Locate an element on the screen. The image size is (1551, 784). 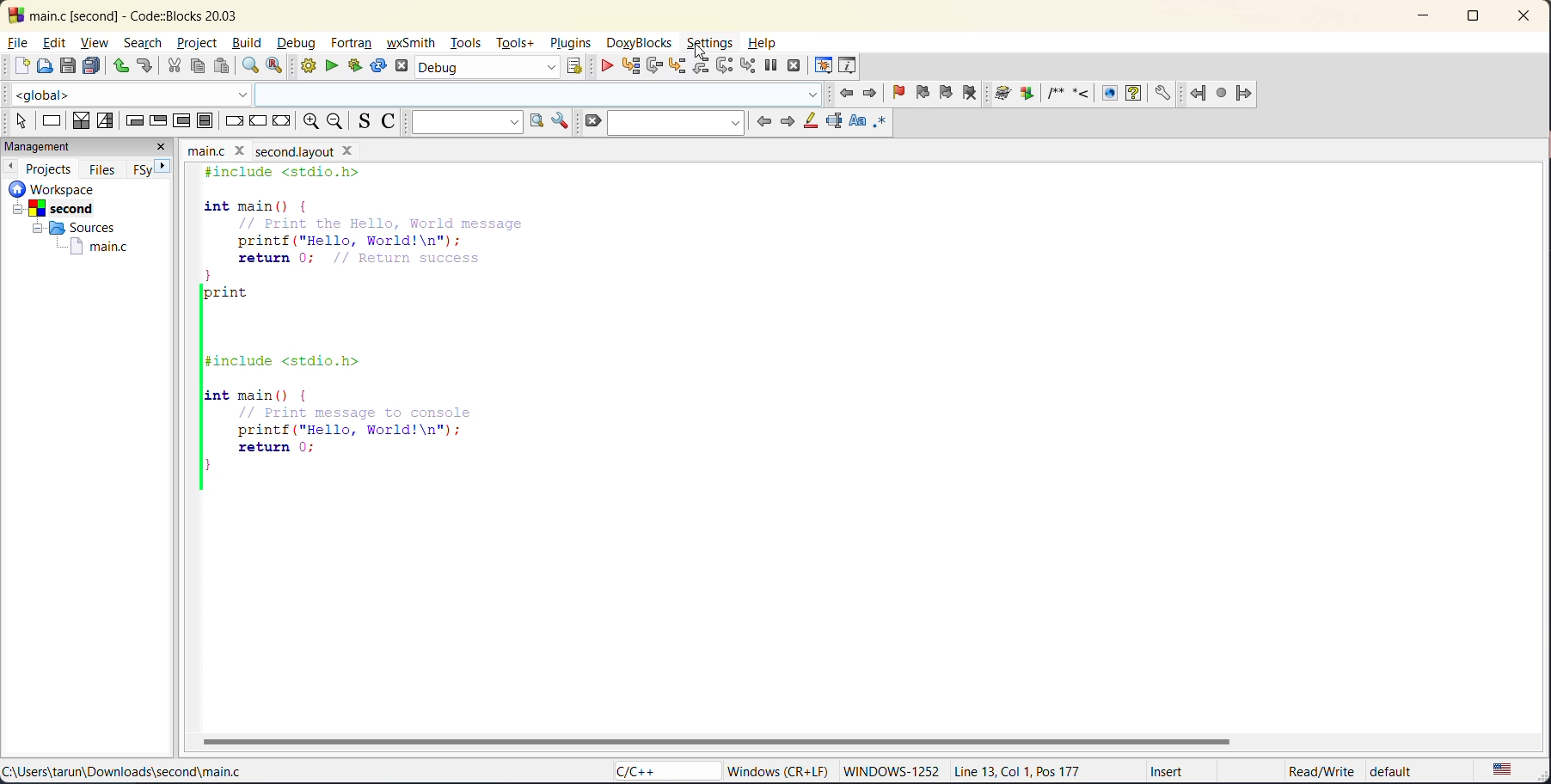
new is located at coordinates (16, 67).